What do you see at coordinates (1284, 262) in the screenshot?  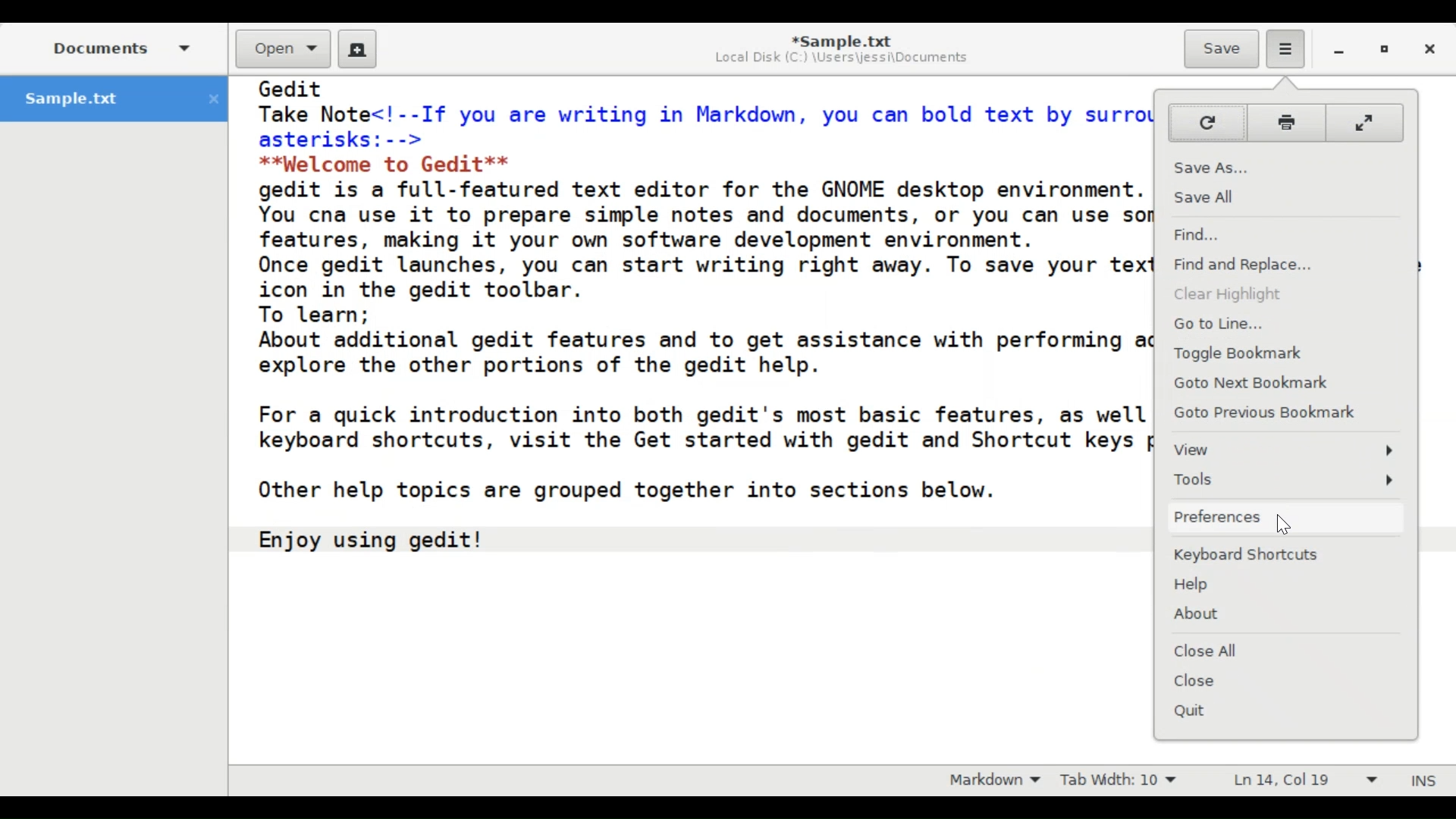 I see `Find and Replace` at bounding box center [1284, 262].